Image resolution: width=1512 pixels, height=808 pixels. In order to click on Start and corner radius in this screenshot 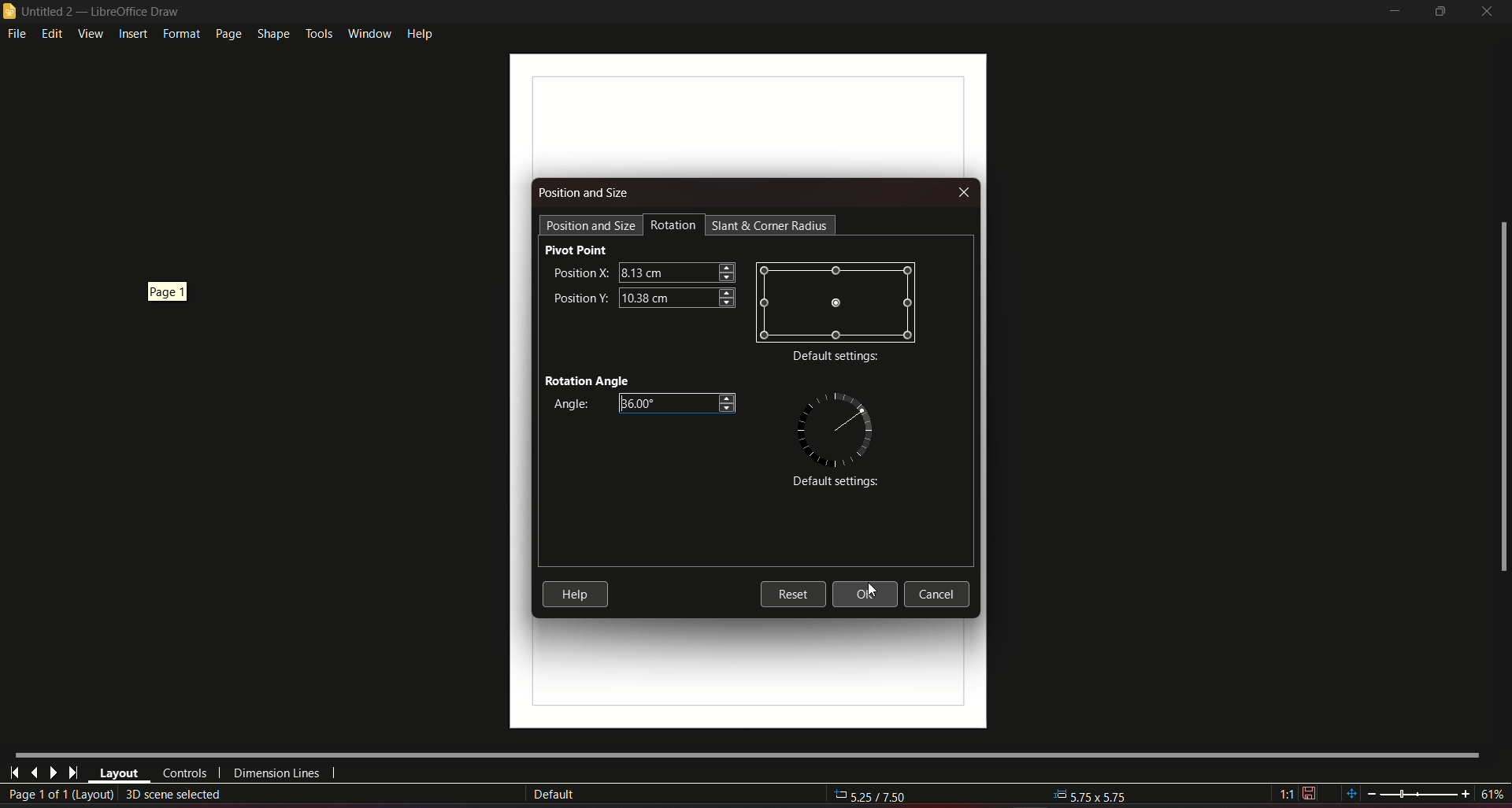, I will do `click(772, 225)`.